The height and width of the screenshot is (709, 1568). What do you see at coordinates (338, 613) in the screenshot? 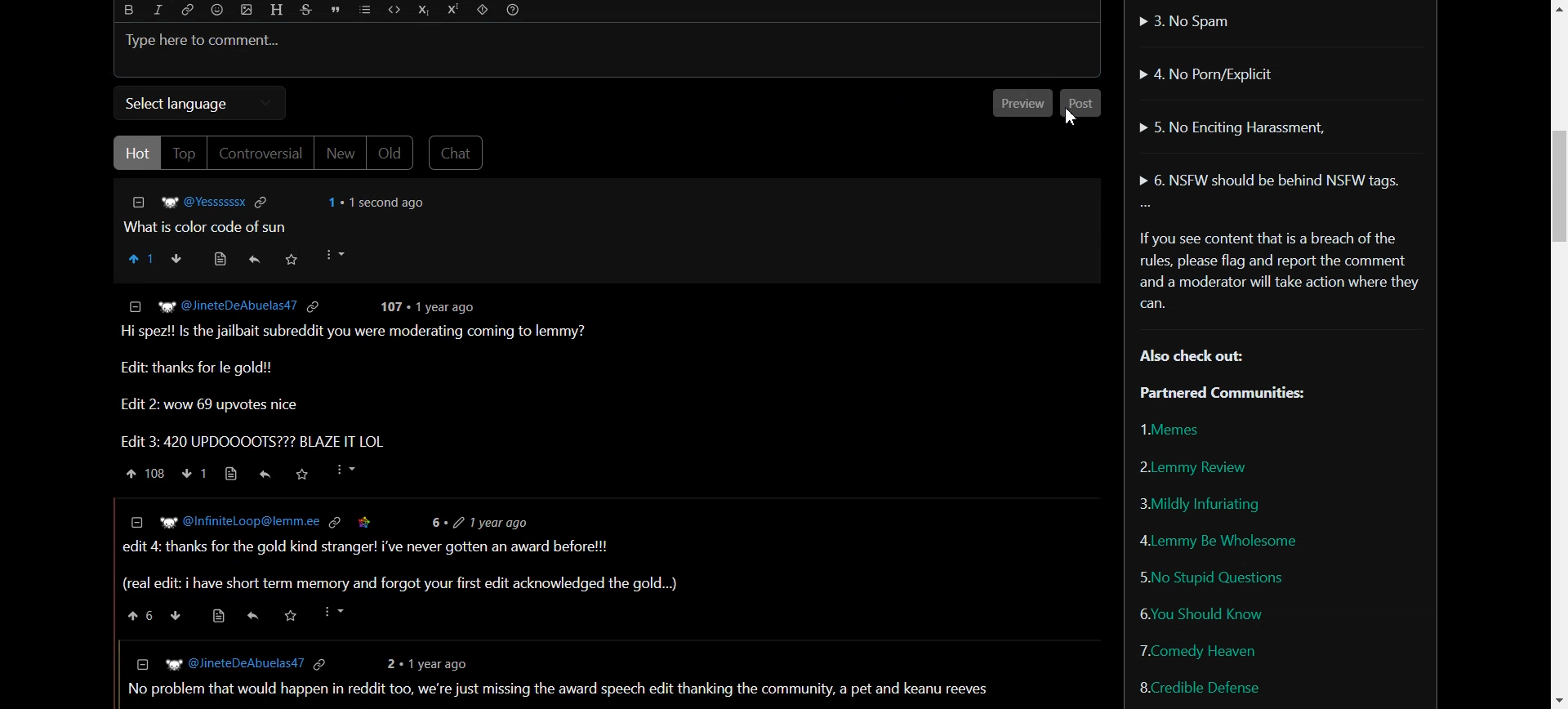
I see `more` at bounding box center [338, 613].